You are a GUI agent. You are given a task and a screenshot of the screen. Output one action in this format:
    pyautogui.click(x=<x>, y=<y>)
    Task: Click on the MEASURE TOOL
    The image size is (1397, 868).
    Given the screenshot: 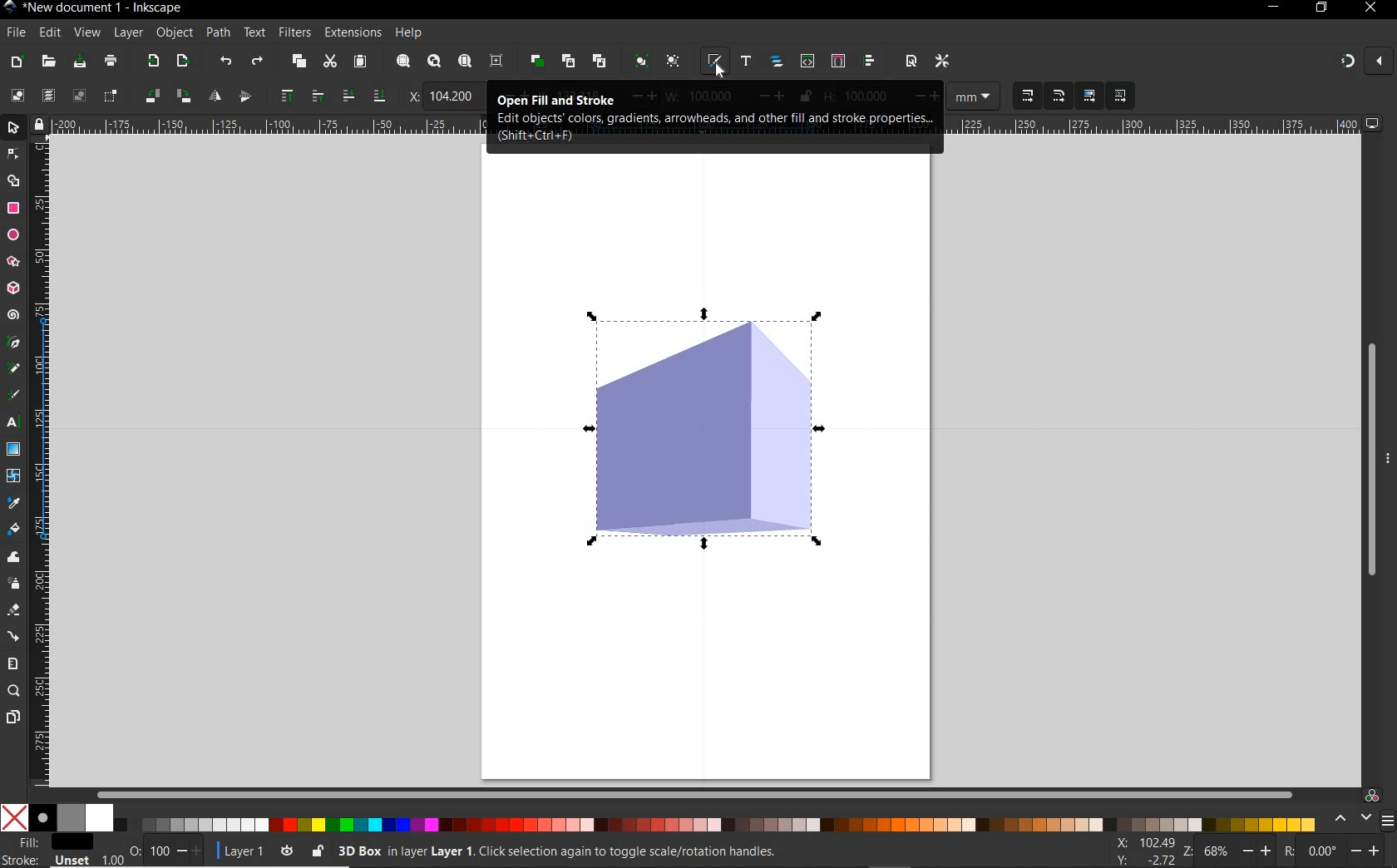 What is the action you would take?
    pyautogui.click(x=13, y=662)
    